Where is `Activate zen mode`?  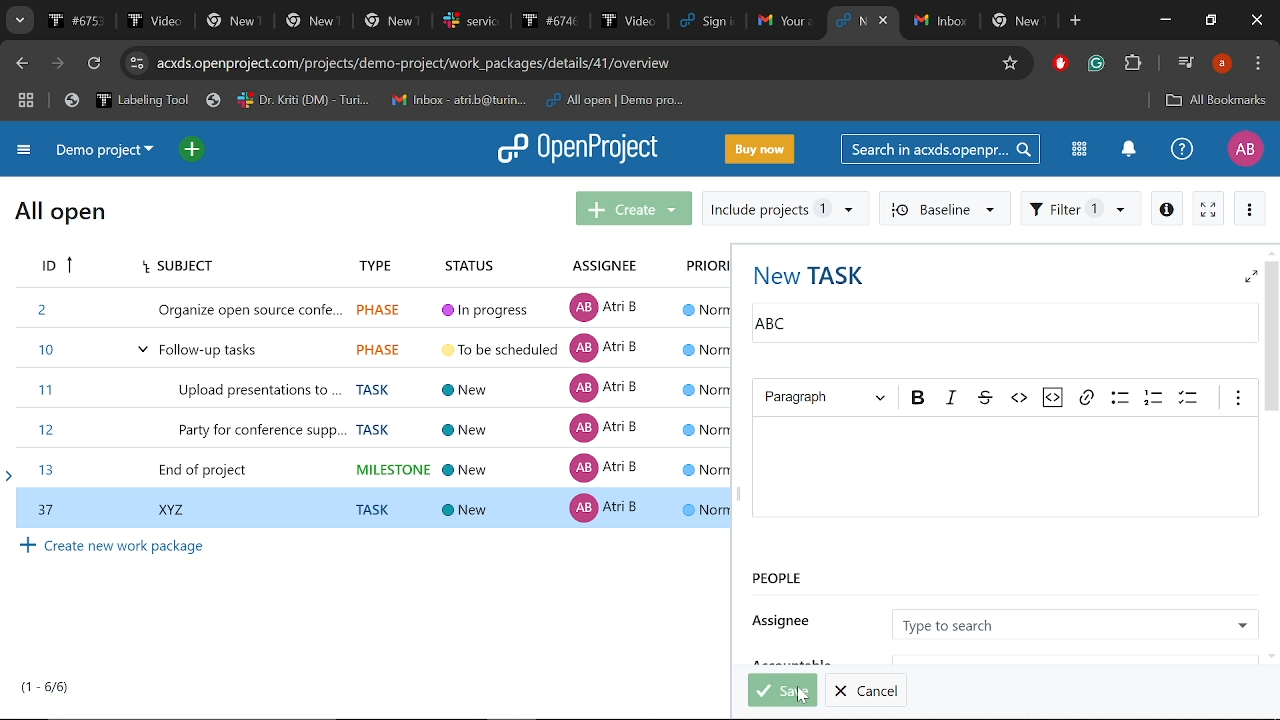 Activate zen mode is located at coordinates (1209, 207).